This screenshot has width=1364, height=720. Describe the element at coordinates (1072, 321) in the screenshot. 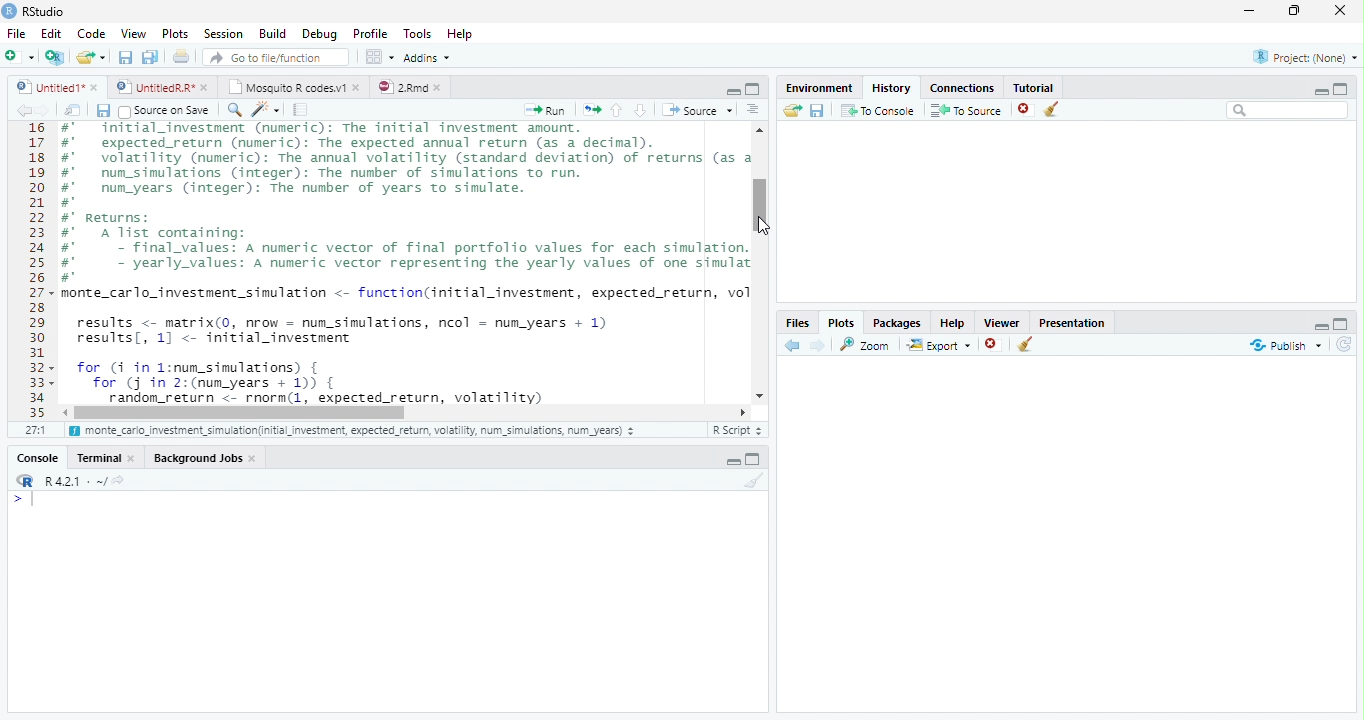

I see `Presentation` at that location.